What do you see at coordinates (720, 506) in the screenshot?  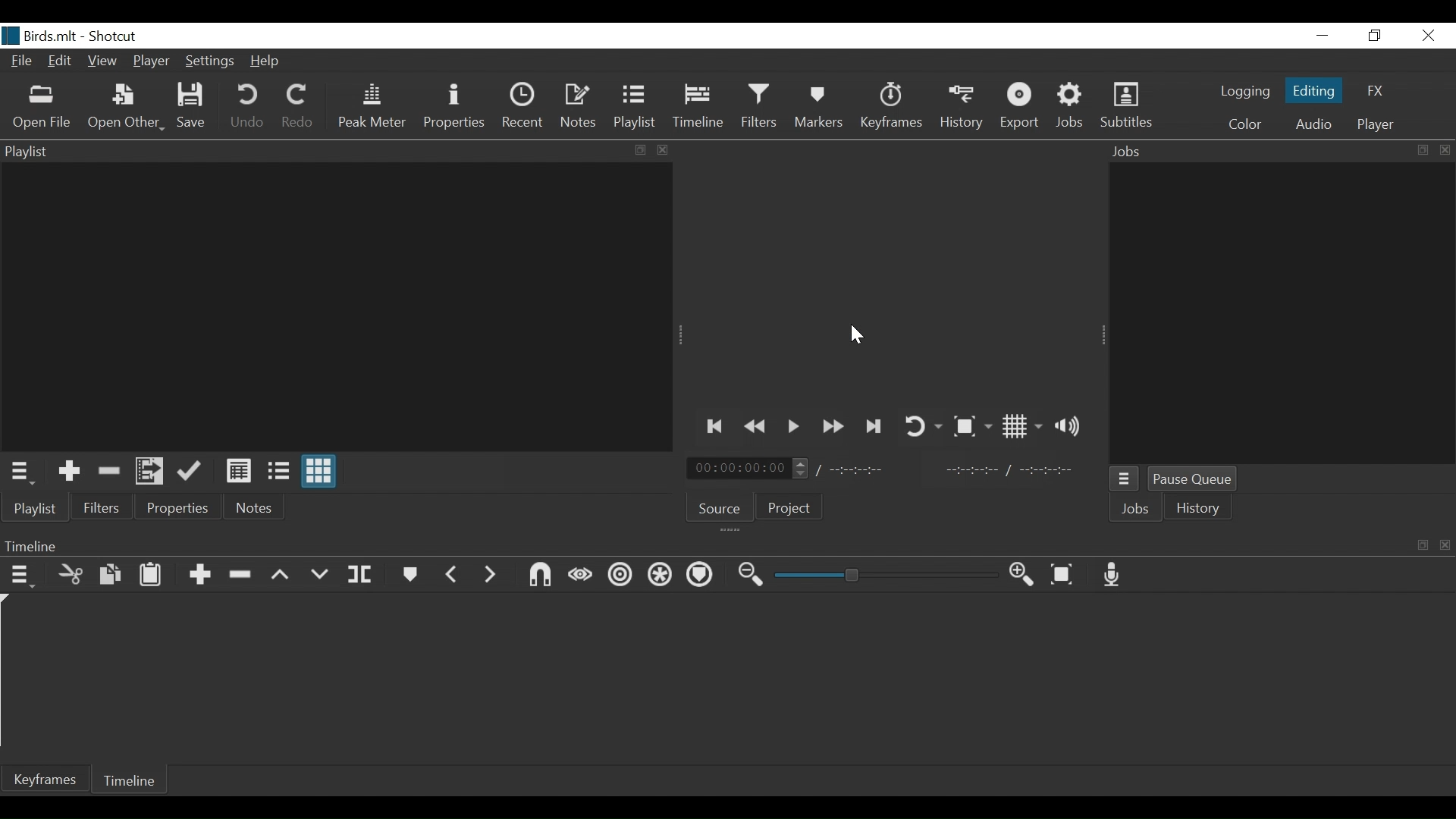 I see `Source` at bounding box center [720, 506].